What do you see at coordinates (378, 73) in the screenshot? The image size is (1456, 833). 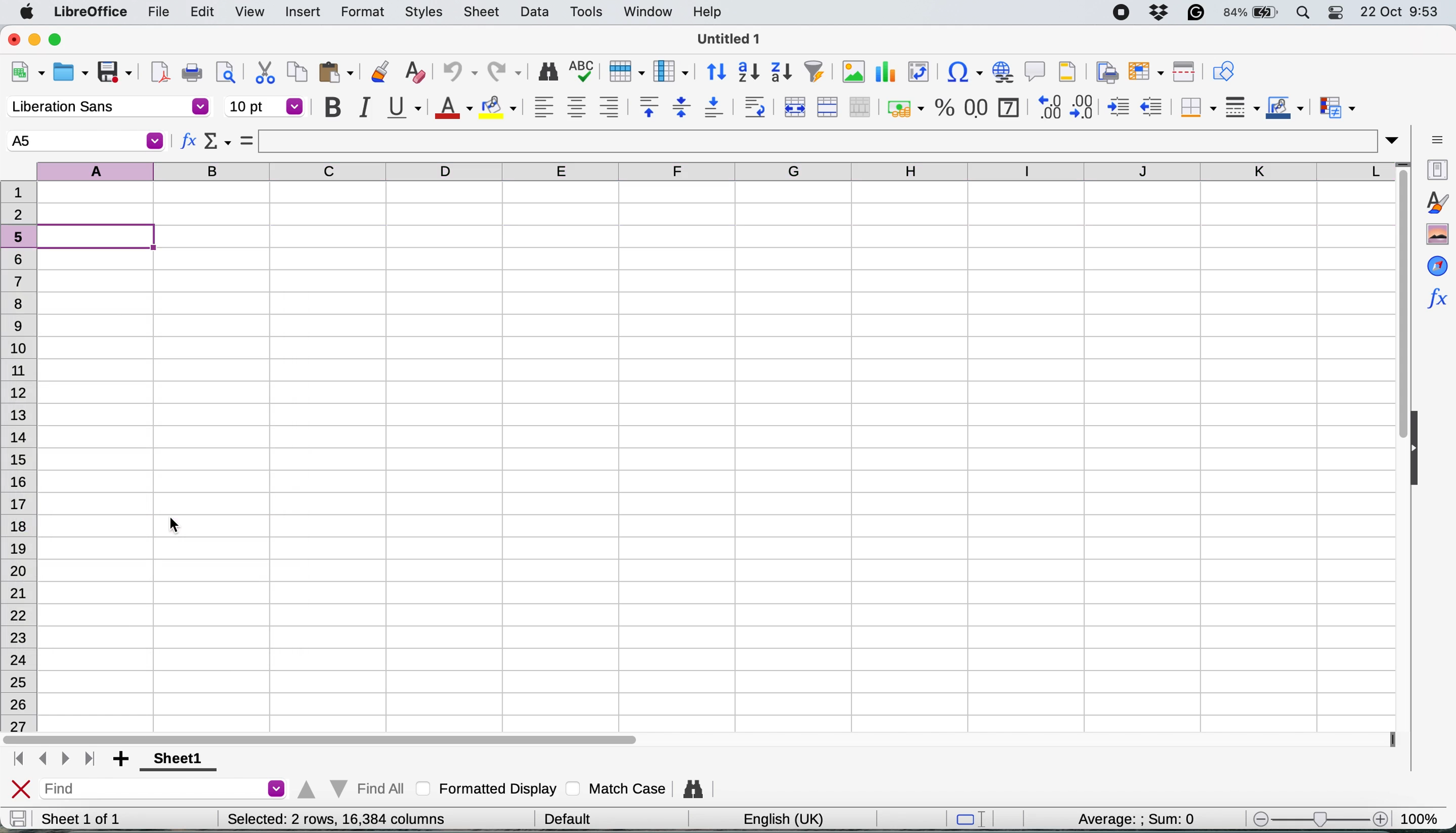 I see `clone formatting` at bounding box center [378, 73].